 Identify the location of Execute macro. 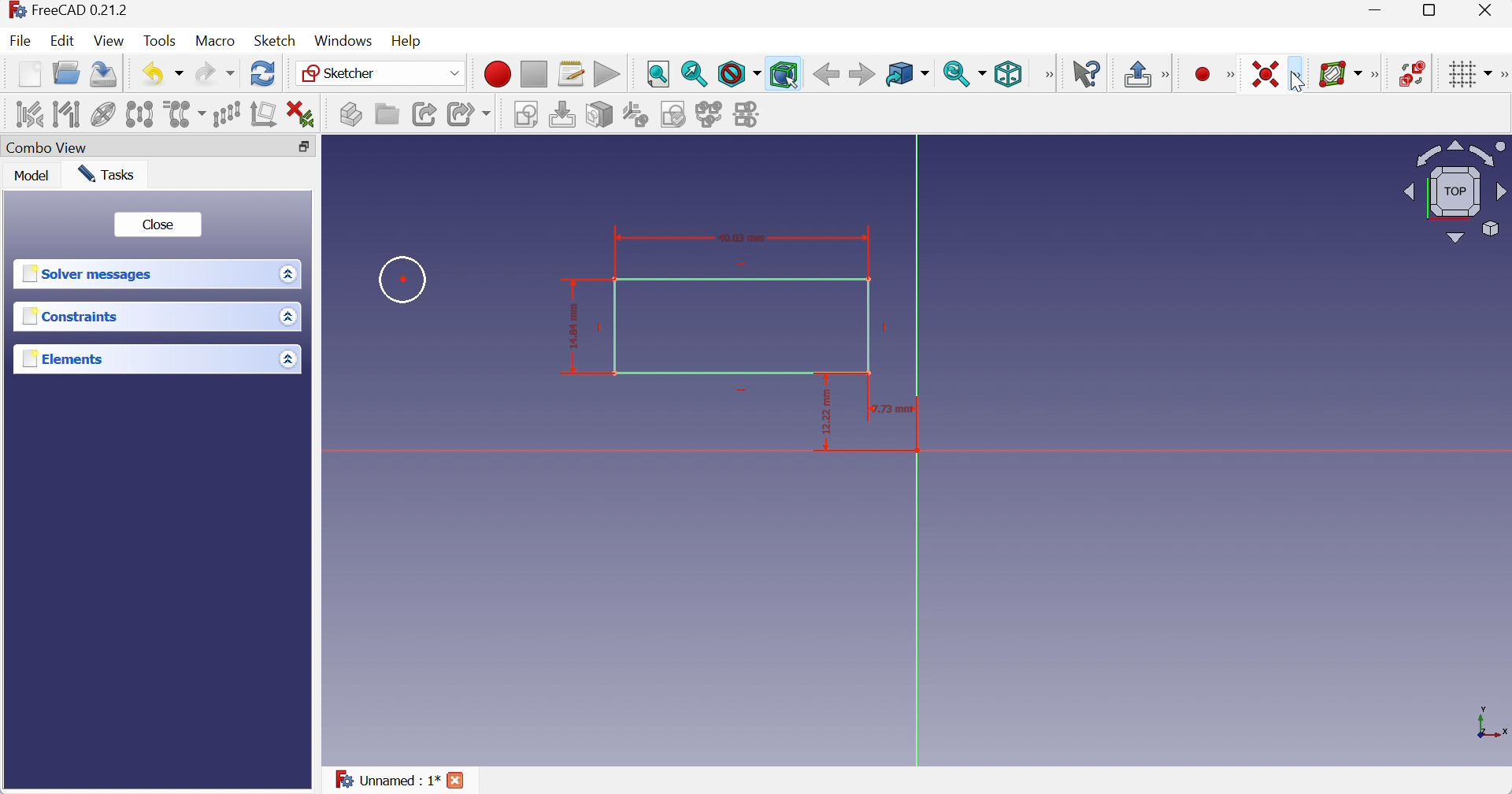
(606, 74).